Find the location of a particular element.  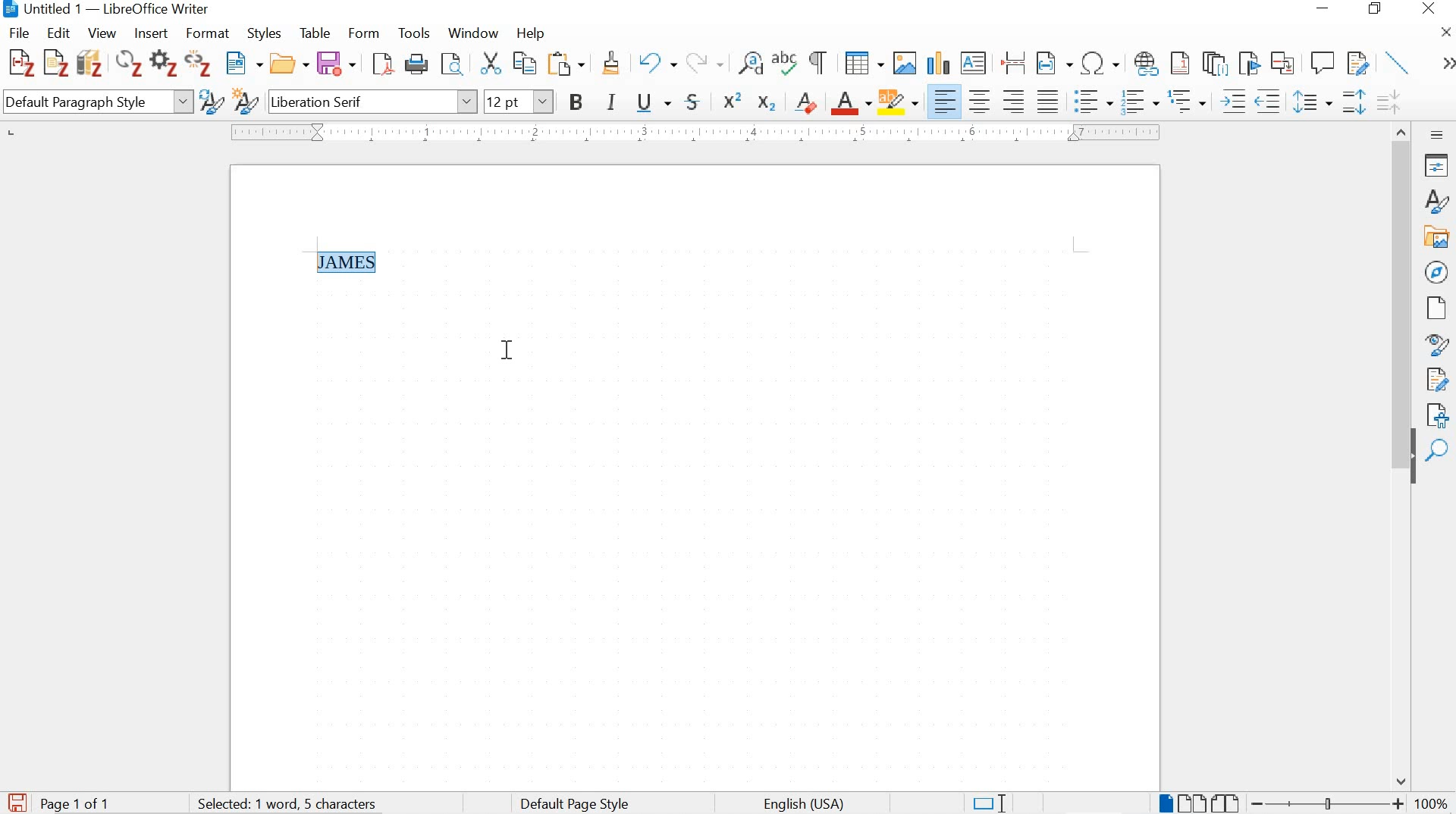

insert comment is located at coordinates (1323, 63).